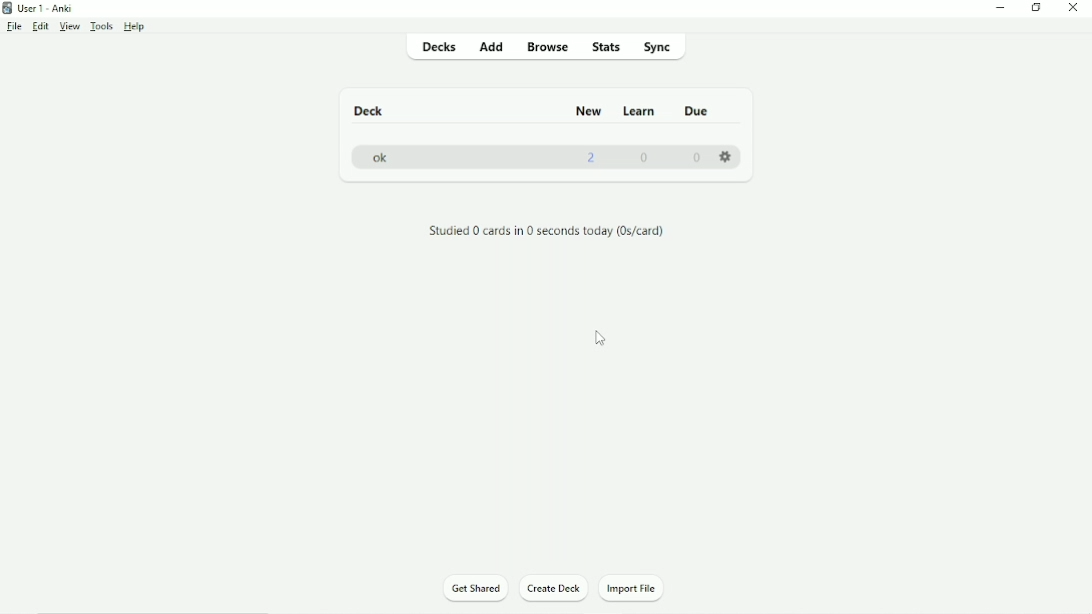  I want to click on Edit, so click(41, 26).